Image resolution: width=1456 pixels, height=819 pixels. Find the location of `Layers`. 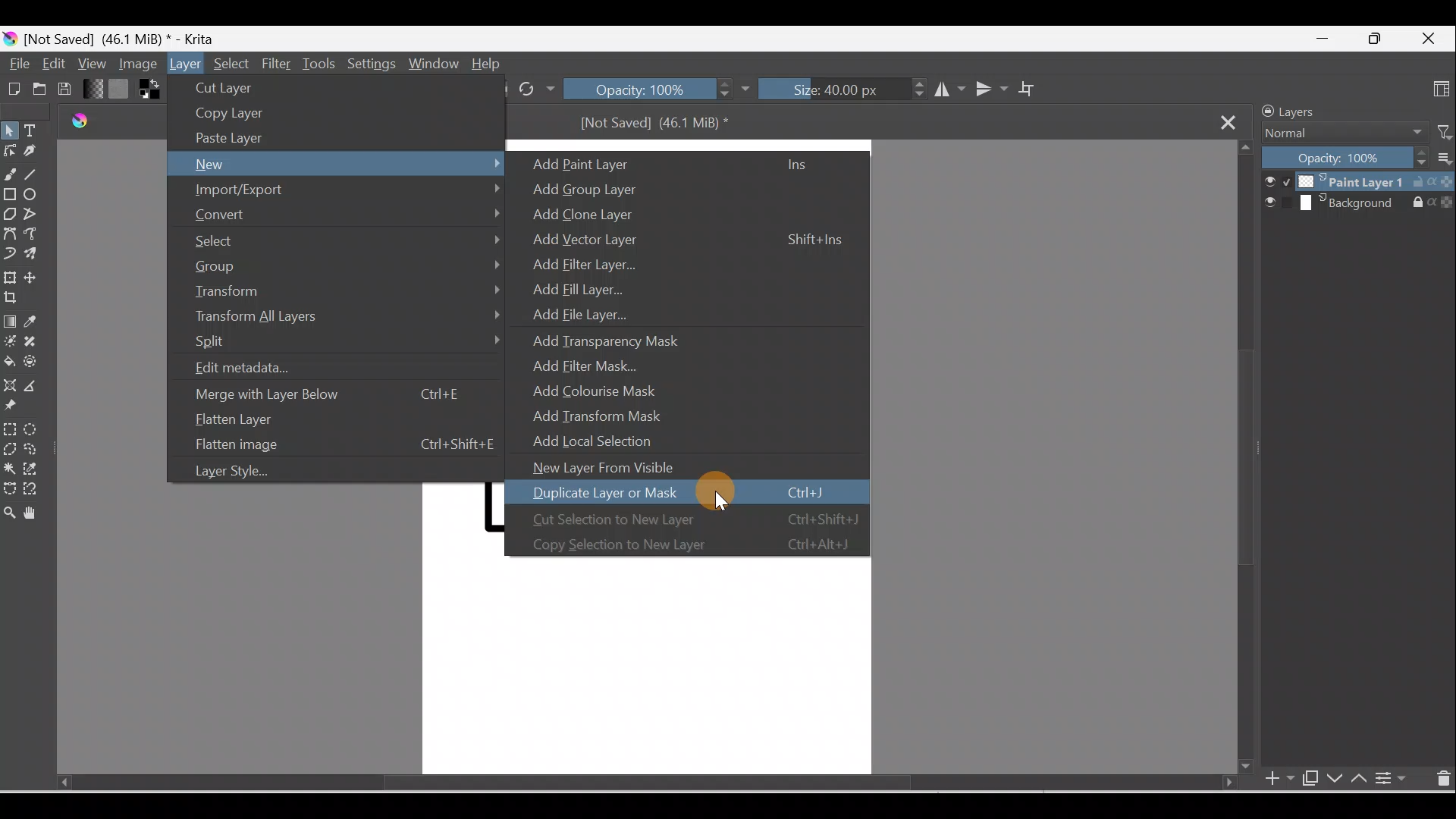

Layers is located at coordinates (1314, 110).